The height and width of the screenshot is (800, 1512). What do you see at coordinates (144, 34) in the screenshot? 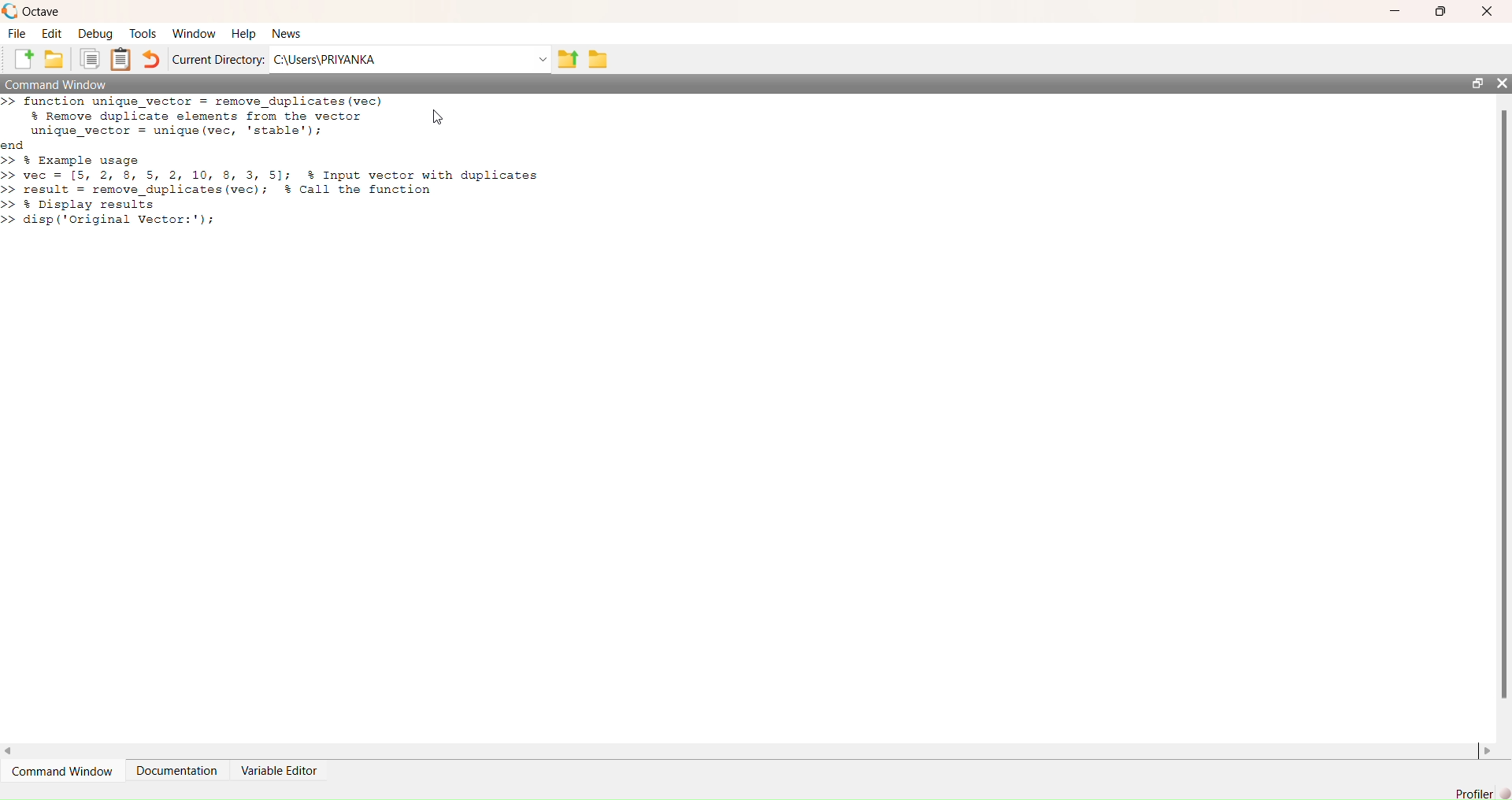
I see `tools` at bounding box center [144, 34].